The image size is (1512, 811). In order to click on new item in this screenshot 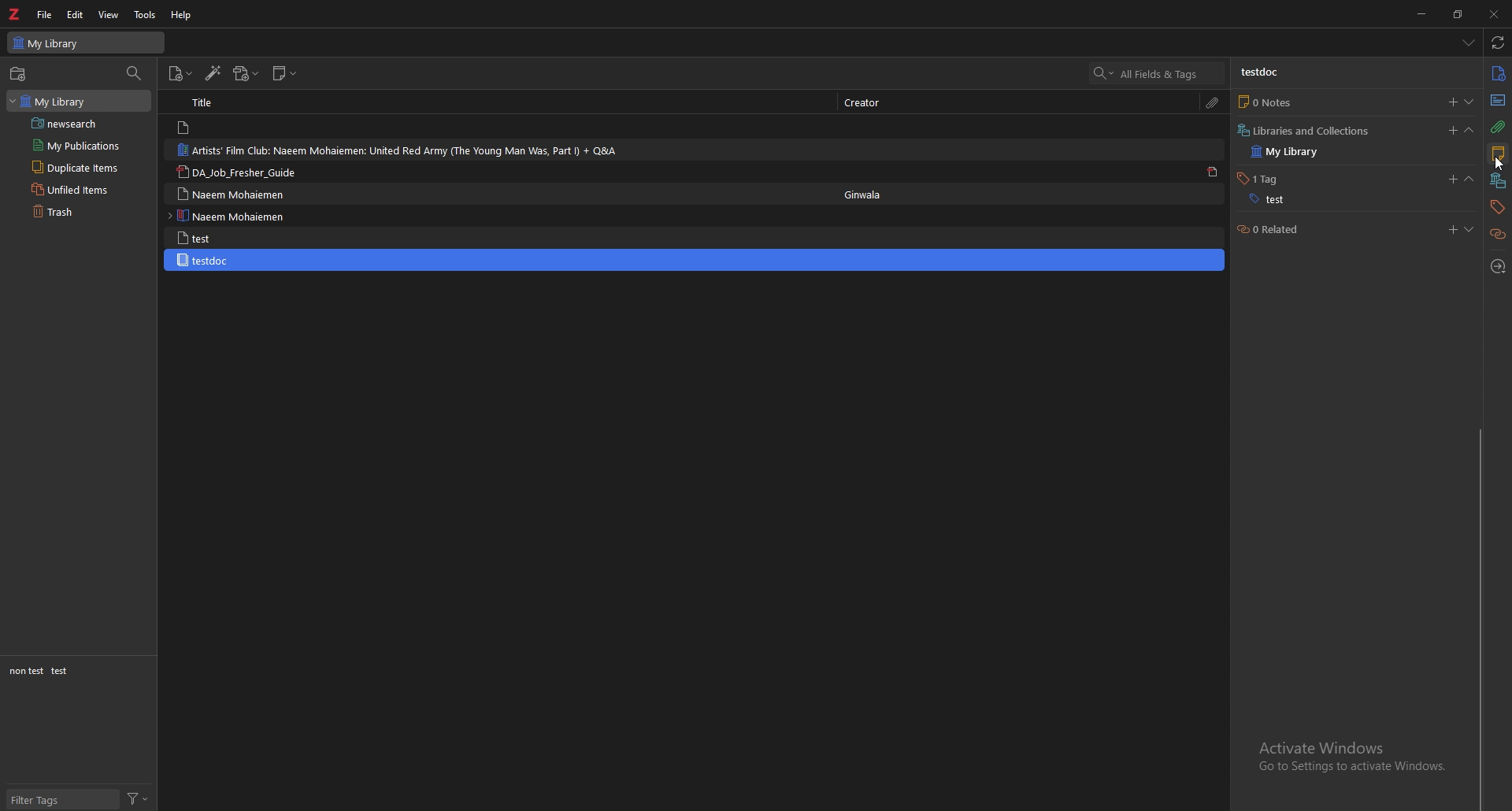, I will do `click(180, 74)`.